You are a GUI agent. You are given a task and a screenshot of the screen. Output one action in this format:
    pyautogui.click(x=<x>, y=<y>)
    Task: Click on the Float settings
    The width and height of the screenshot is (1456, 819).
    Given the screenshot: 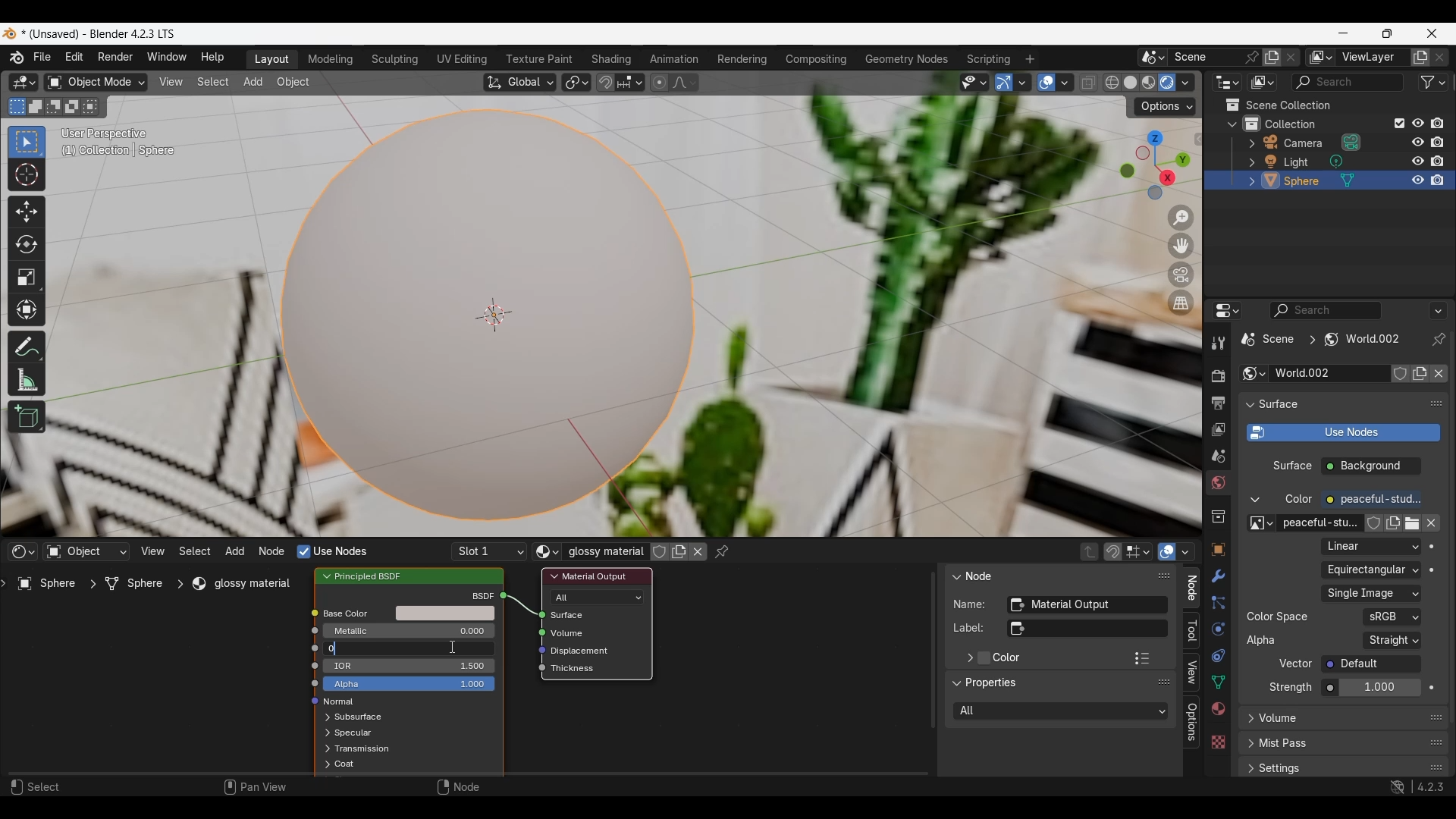 What is the action you would take?
    pyautogui.click(x=1436, y=767)
    